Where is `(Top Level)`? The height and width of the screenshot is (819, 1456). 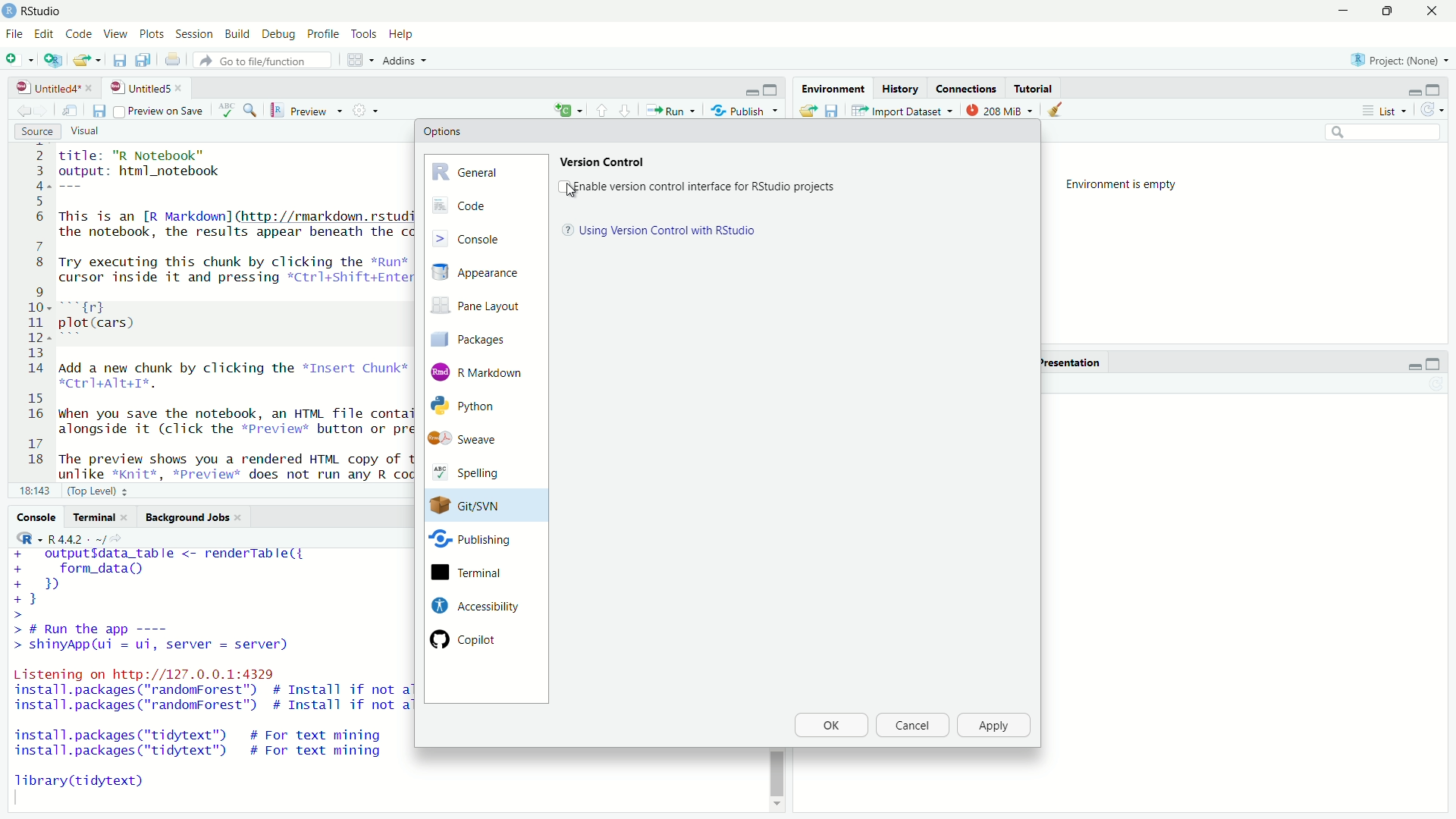 (Top Level) is located at coordinates (100, 490).